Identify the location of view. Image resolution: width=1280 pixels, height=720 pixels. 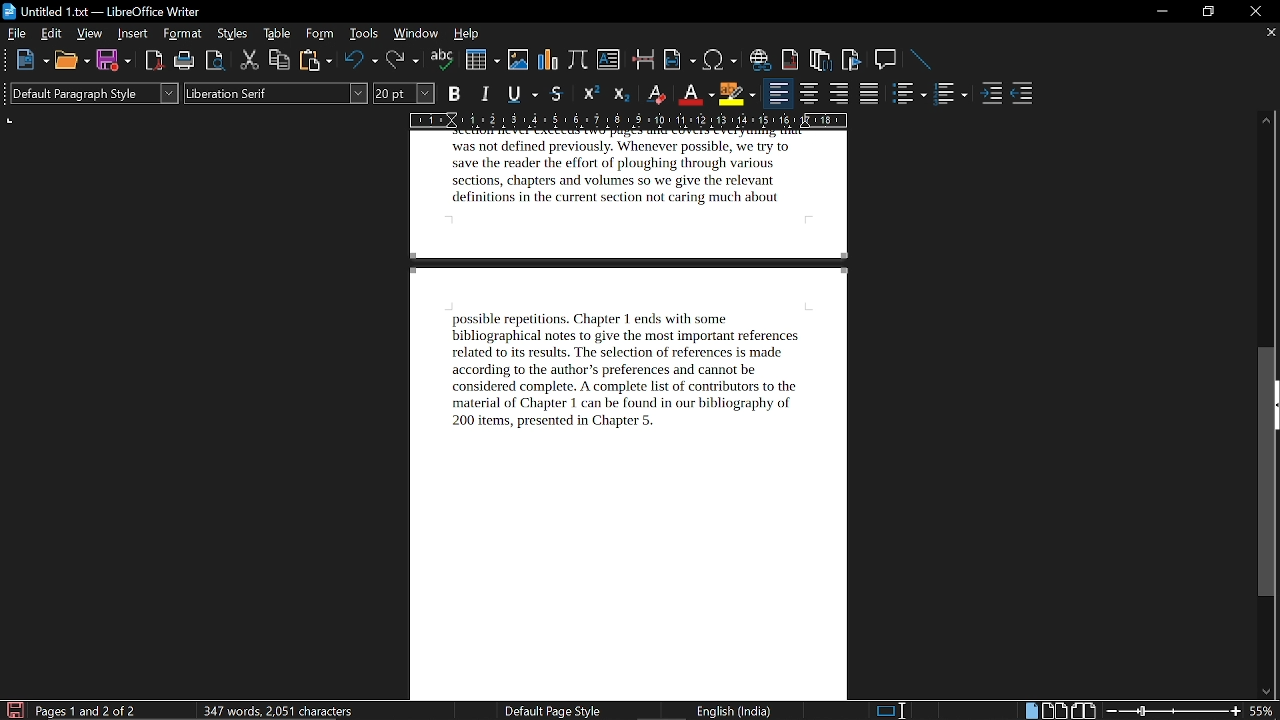
(90, 33).